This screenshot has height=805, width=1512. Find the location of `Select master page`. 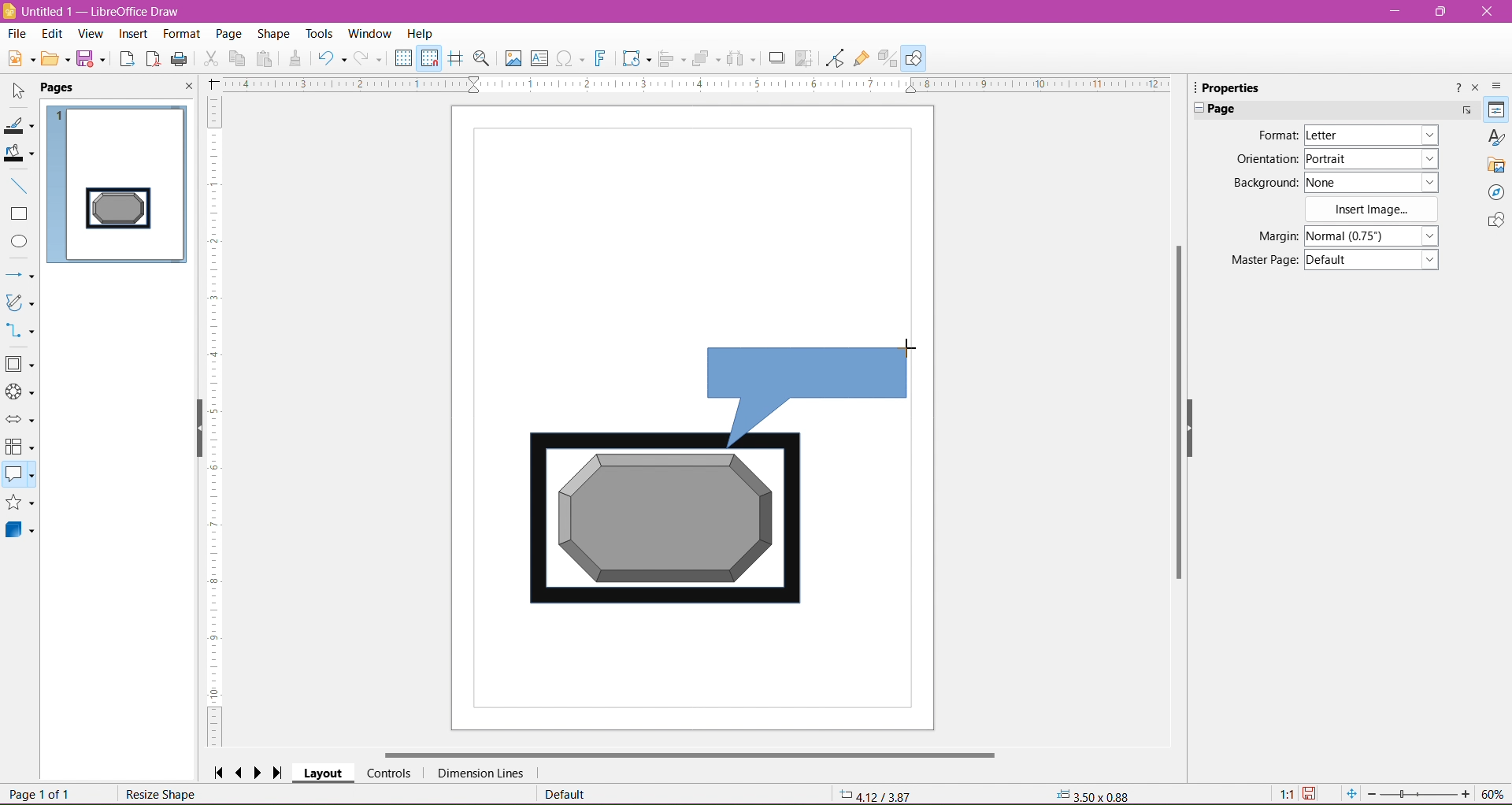

Select master page is located at coordinates (1375, 260).